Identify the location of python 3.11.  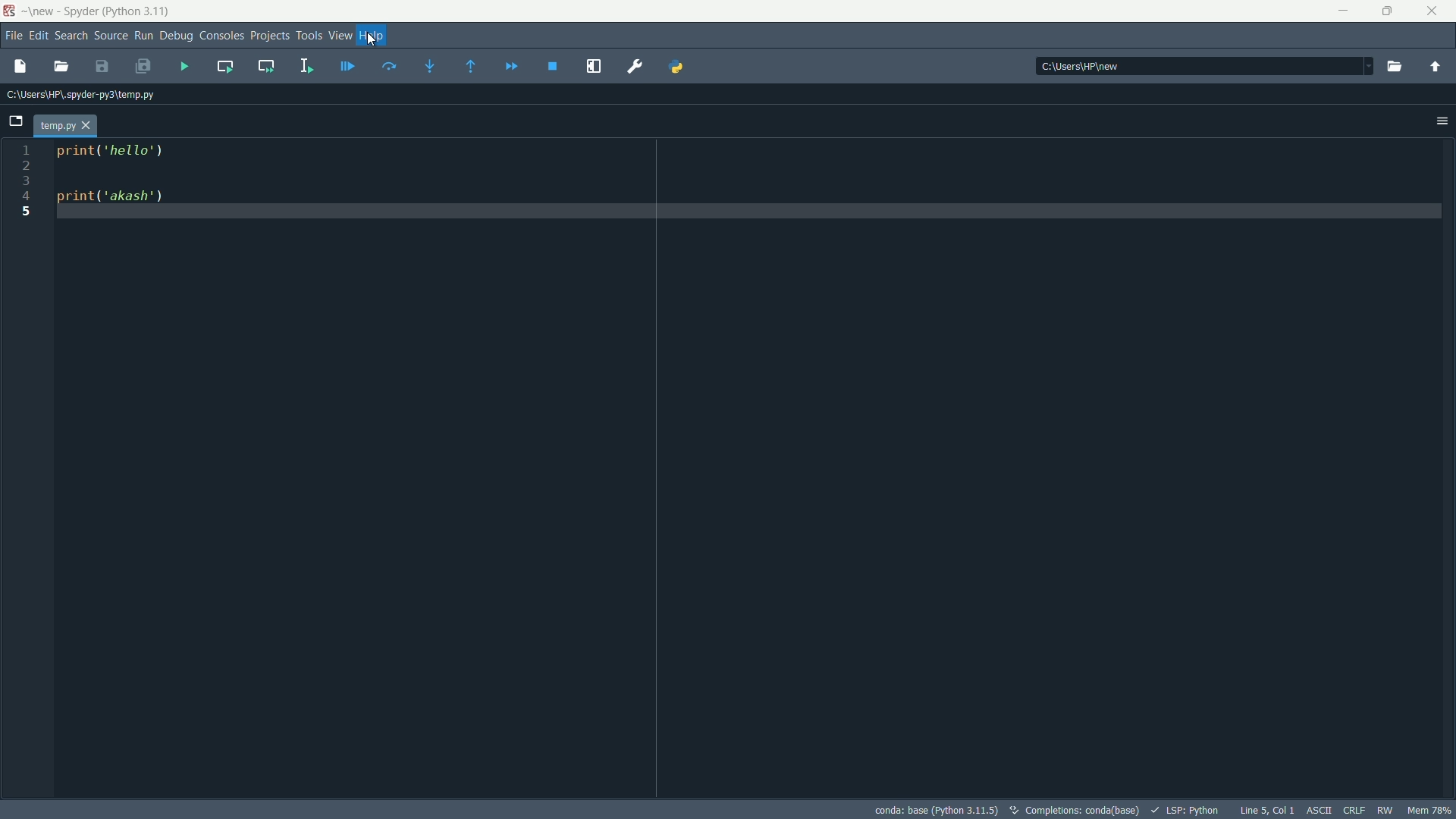
(139, 11).